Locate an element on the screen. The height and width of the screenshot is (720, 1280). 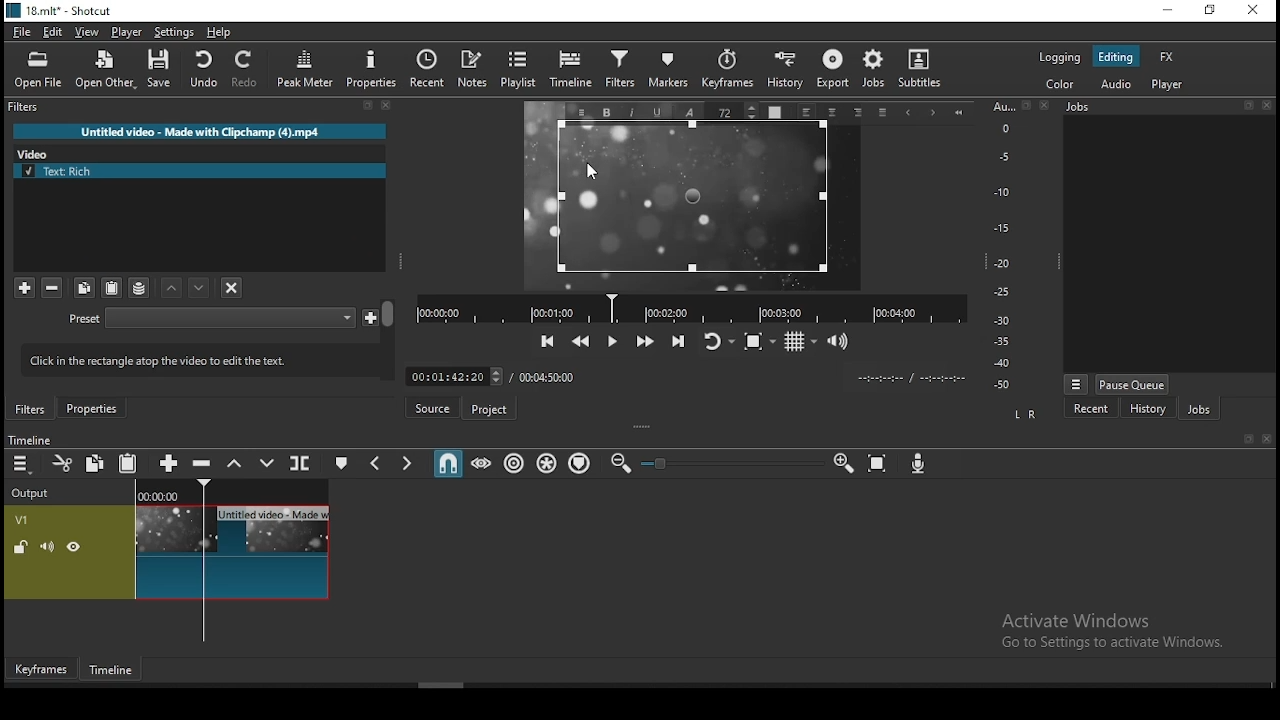
file is located at coordinates (22, 33).